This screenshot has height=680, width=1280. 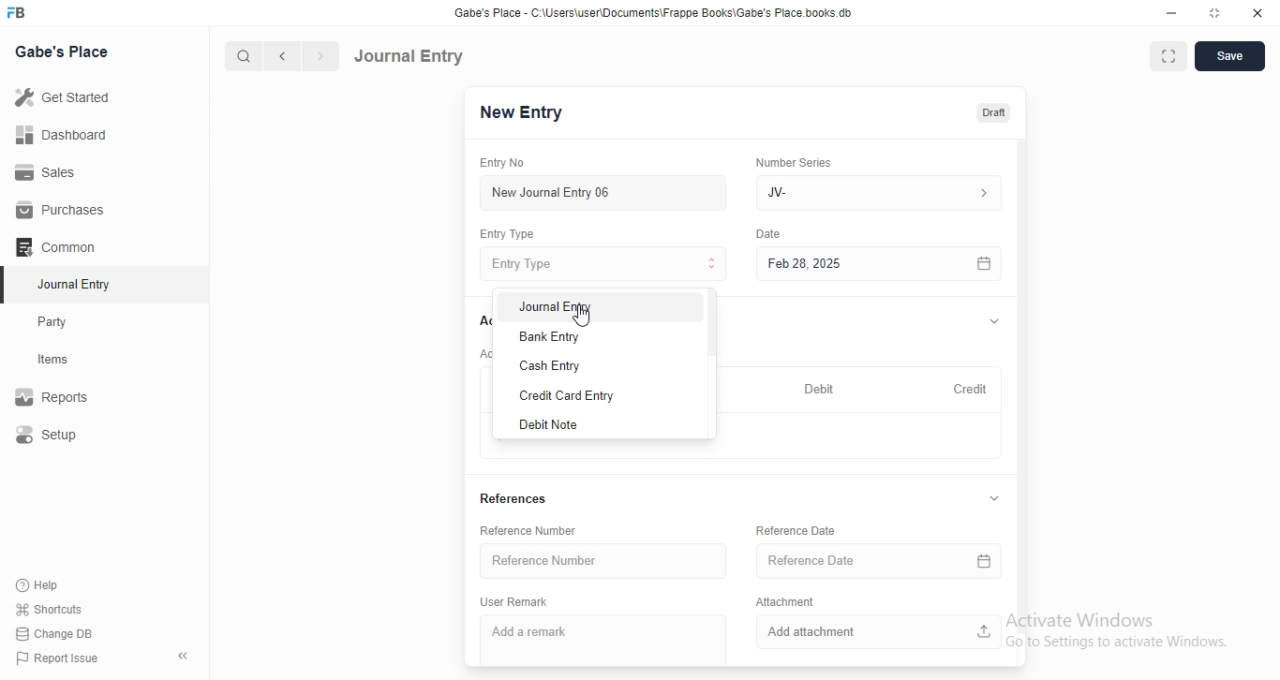 What do you see at coordinates (66, 361) in the screenshot?
I see `items` at bounding box center [66, 361].